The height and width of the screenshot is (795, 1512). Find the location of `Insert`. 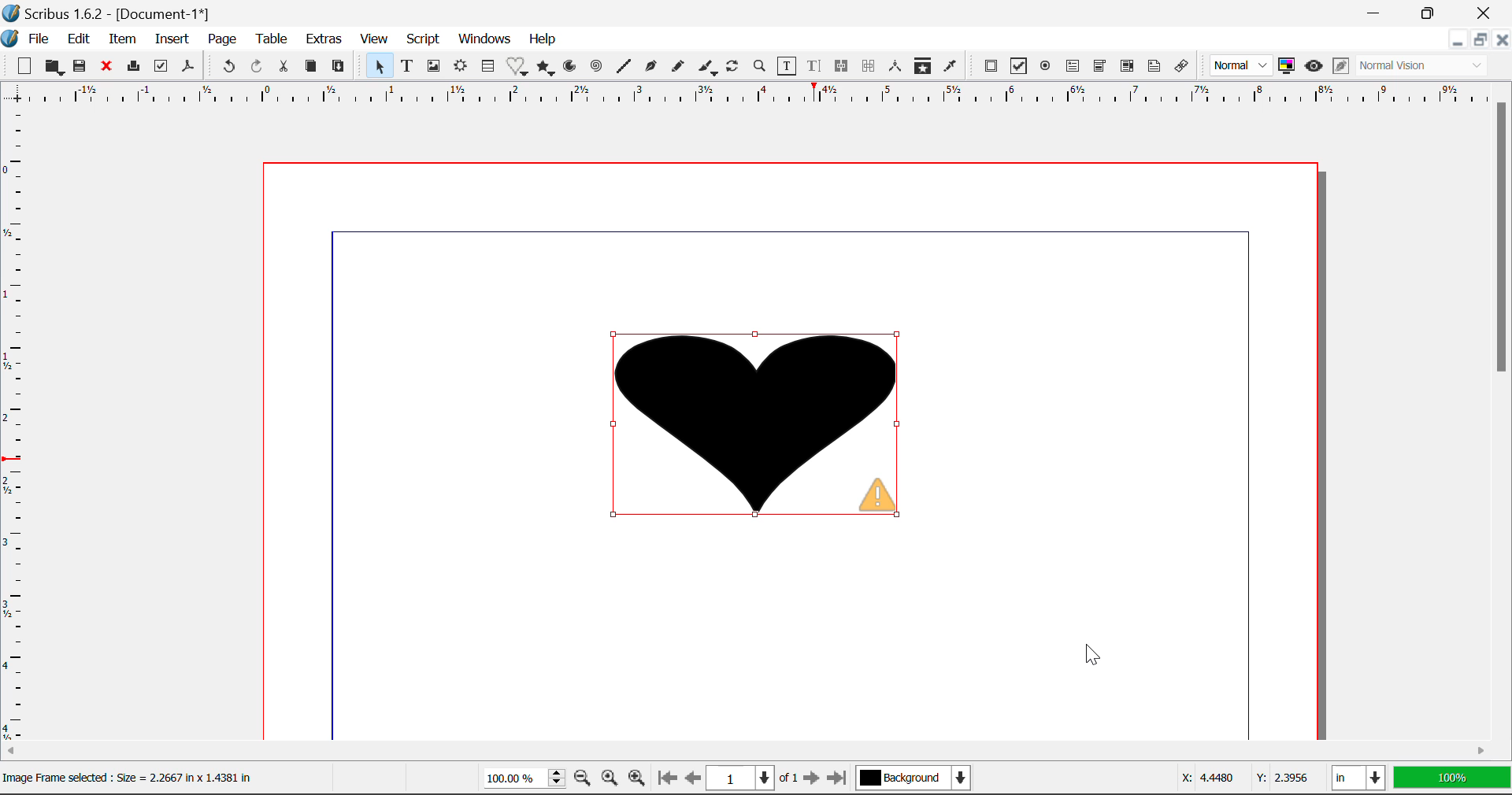

Insert is located at coordinates (170, 39).